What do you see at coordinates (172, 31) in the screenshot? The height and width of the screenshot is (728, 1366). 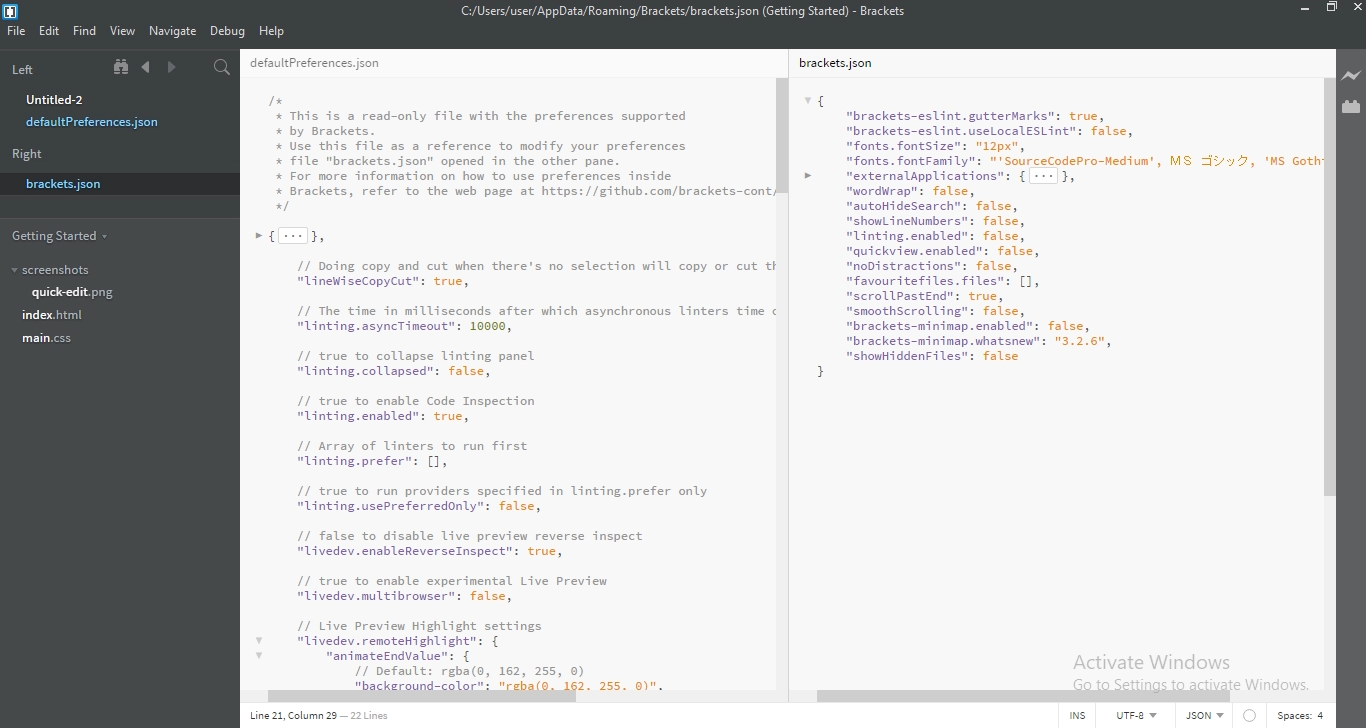 I see `navigate` at bounding box center [172, 31].